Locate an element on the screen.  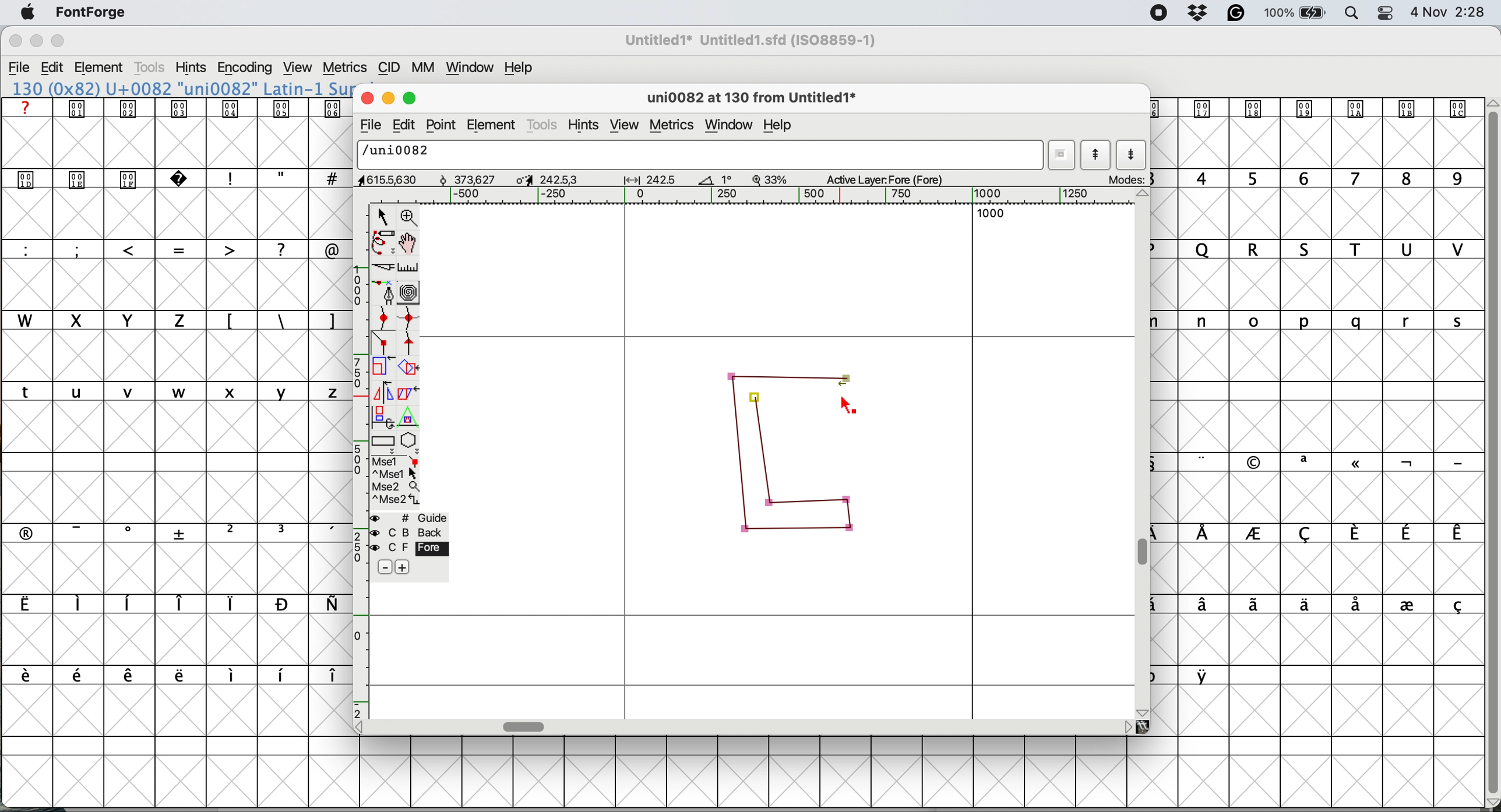
symbols is located at coordinates (1325, 606).